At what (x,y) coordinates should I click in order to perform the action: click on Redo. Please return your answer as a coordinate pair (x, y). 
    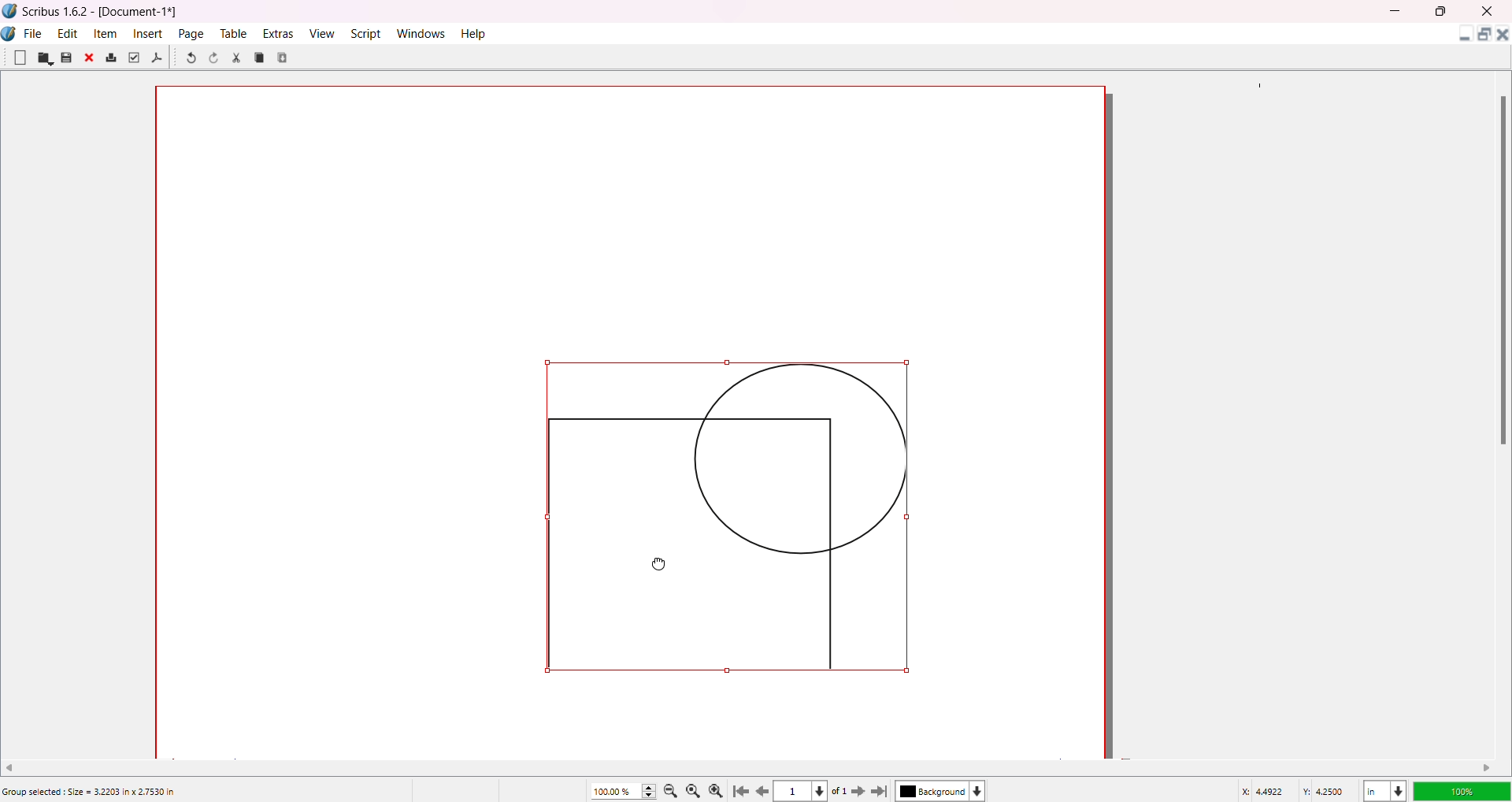
    Looking at the image, I should click on (217, 60).